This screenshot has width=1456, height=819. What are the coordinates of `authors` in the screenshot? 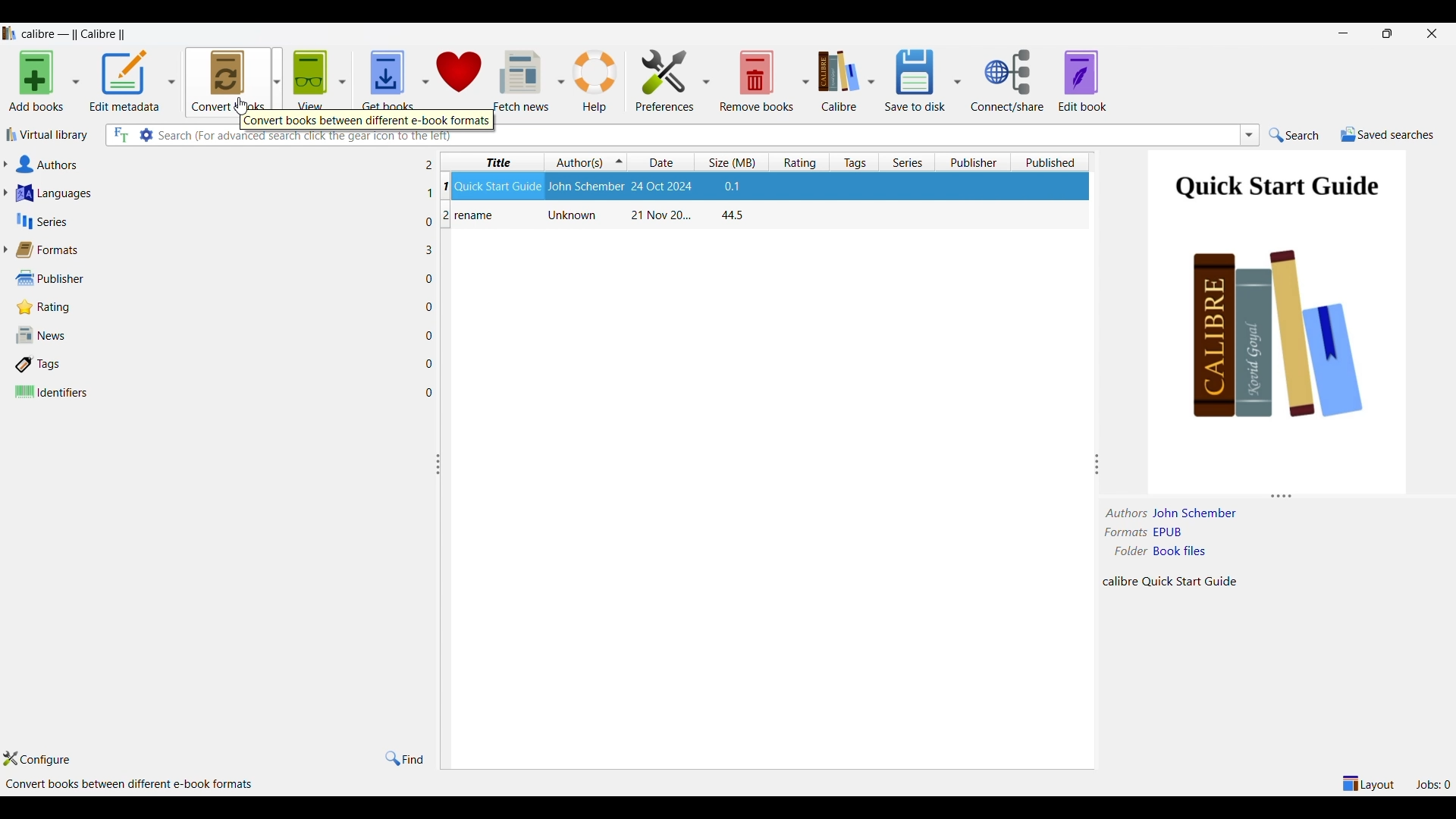 It's located at (1128, 513).